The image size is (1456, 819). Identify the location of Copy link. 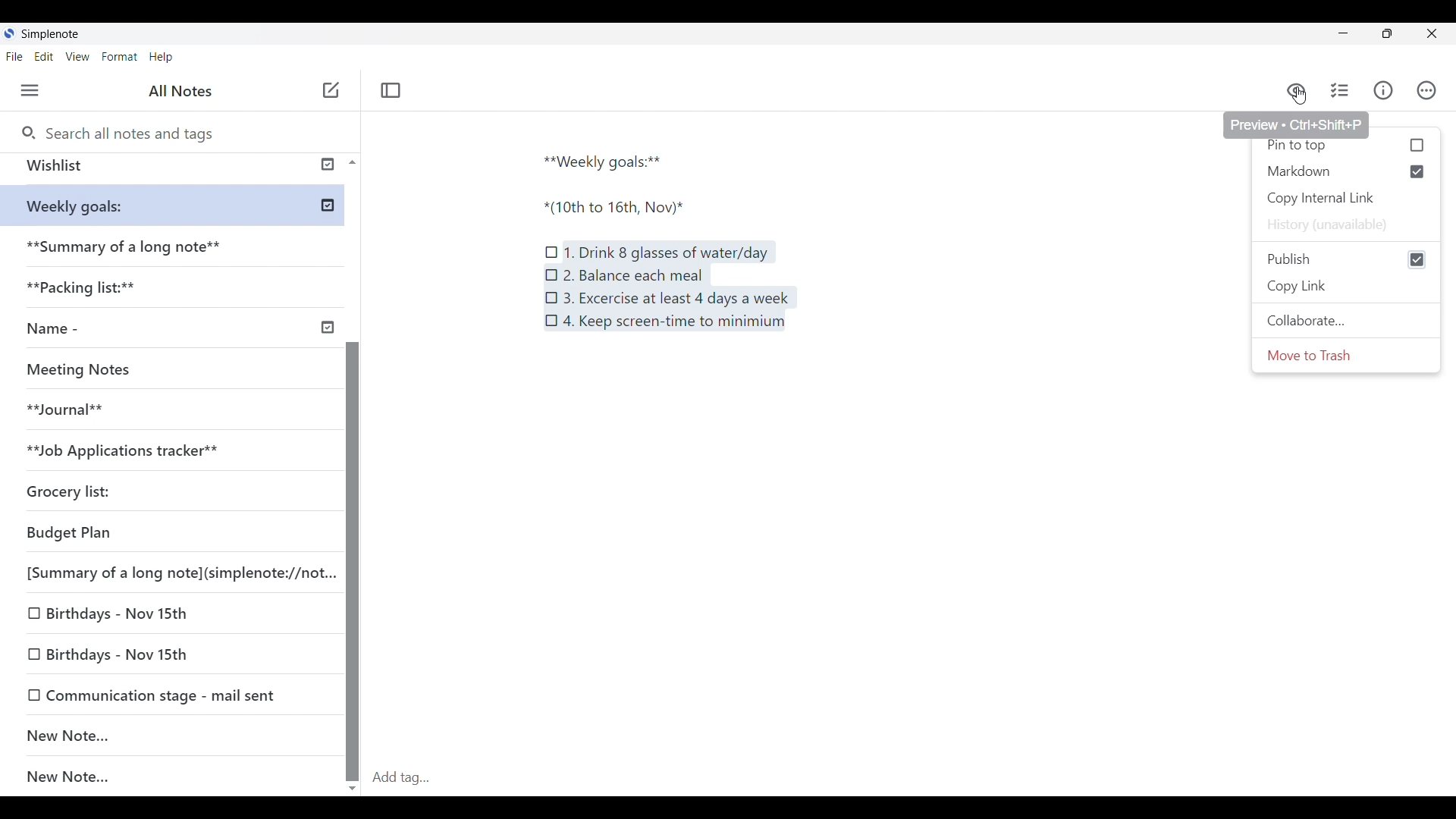
(1301, 286).